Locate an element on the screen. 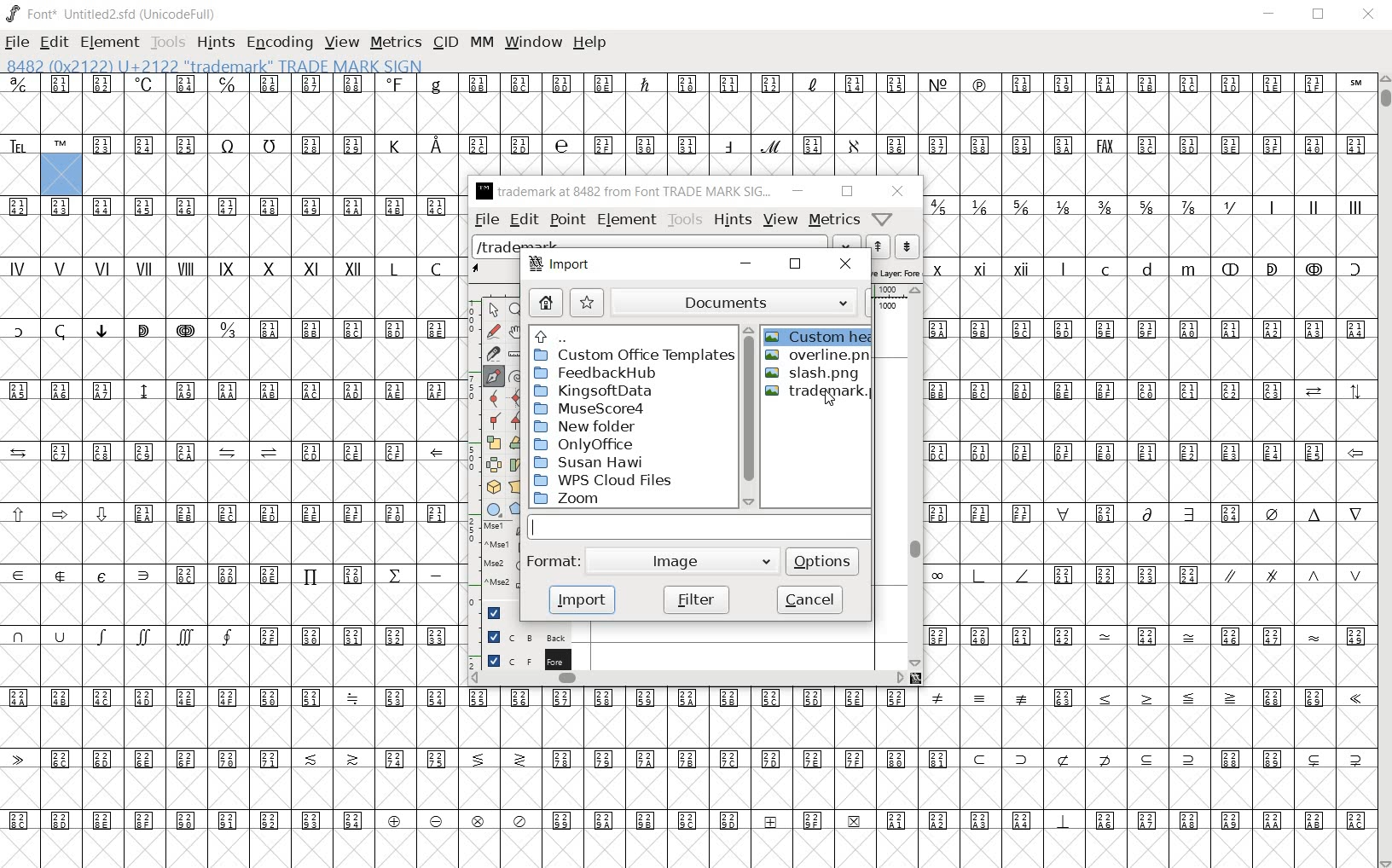 The image size is (1392, 868). slot is located at coordinates (687, 849).